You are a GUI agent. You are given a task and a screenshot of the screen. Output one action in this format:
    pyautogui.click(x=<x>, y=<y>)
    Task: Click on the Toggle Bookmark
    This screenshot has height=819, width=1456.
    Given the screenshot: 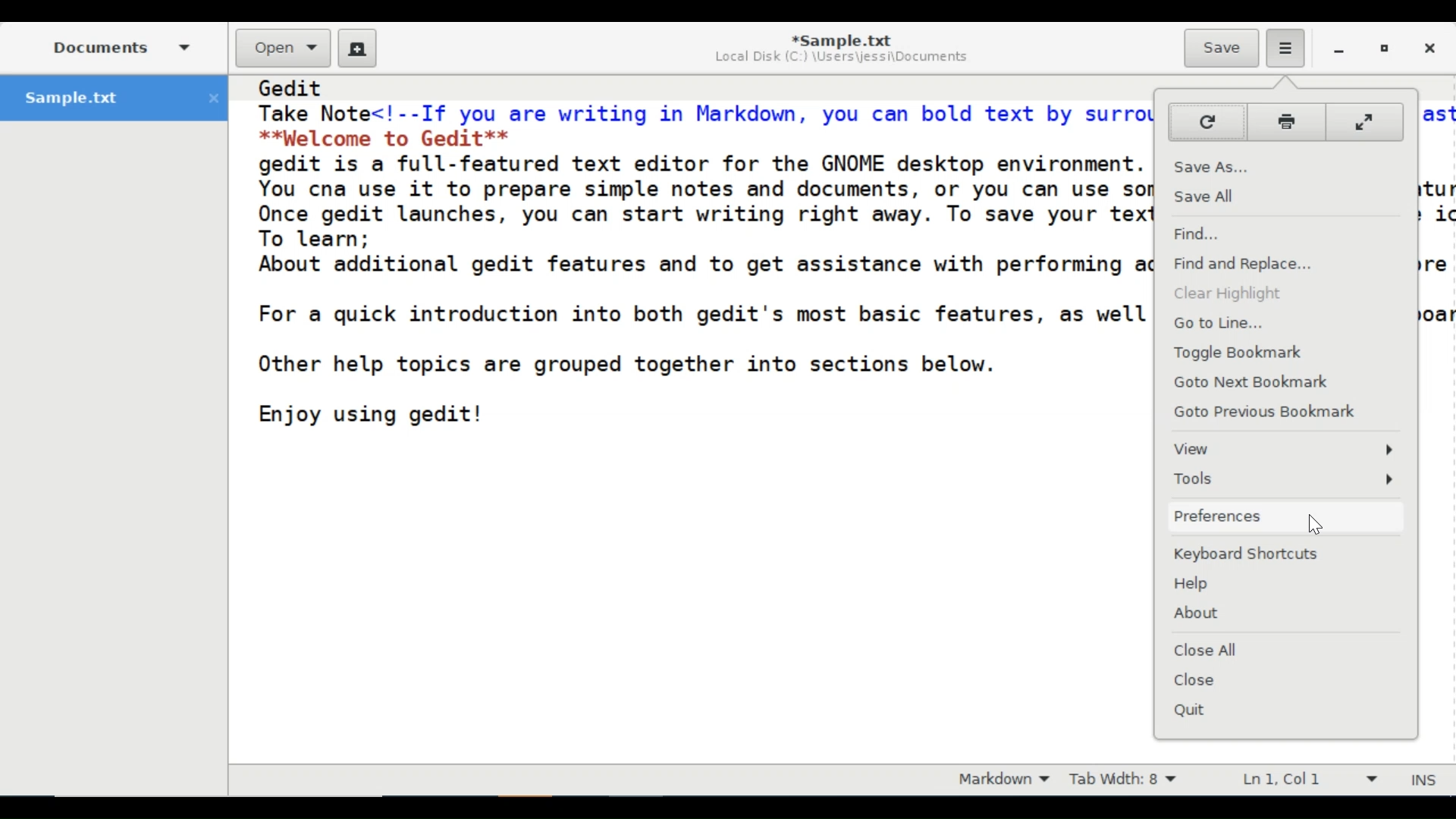 What is the action you would take?
    pyautogui.click(x=1244, y=352)
    